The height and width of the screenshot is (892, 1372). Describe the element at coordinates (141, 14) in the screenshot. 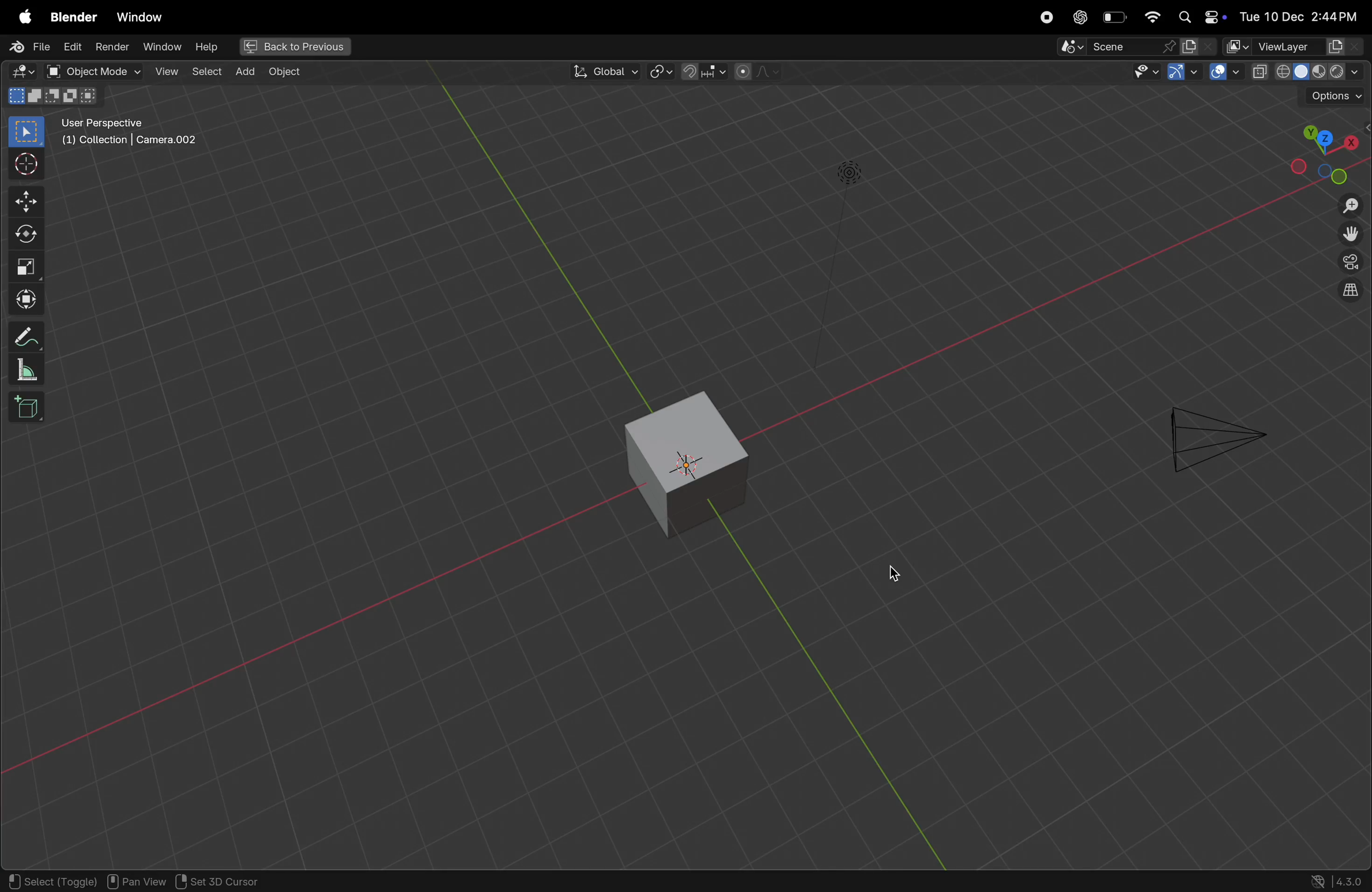

I see `Window` at that location.